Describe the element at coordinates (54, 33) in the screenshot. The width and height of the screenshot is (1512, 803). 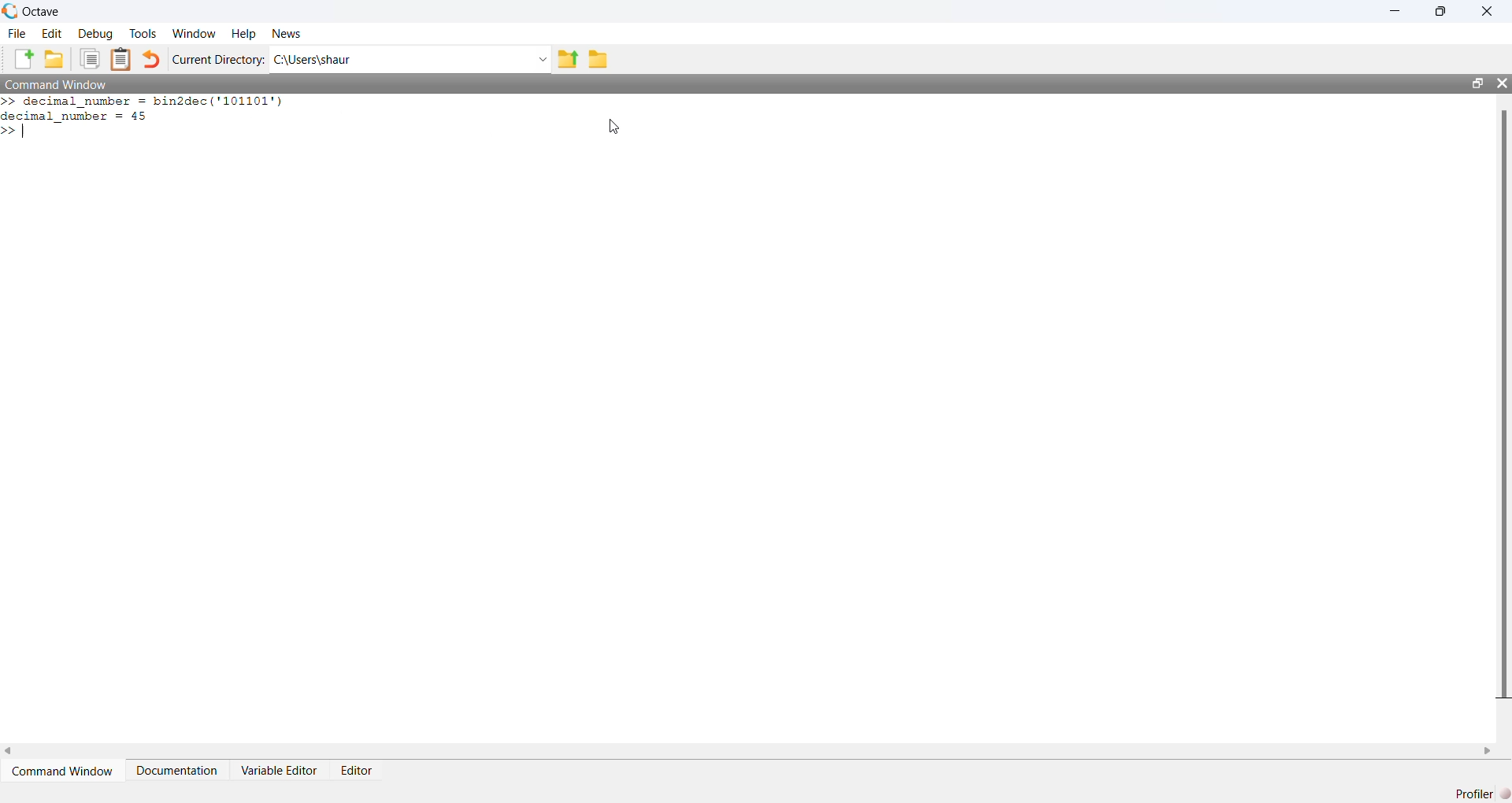
I see `edit` at that location.